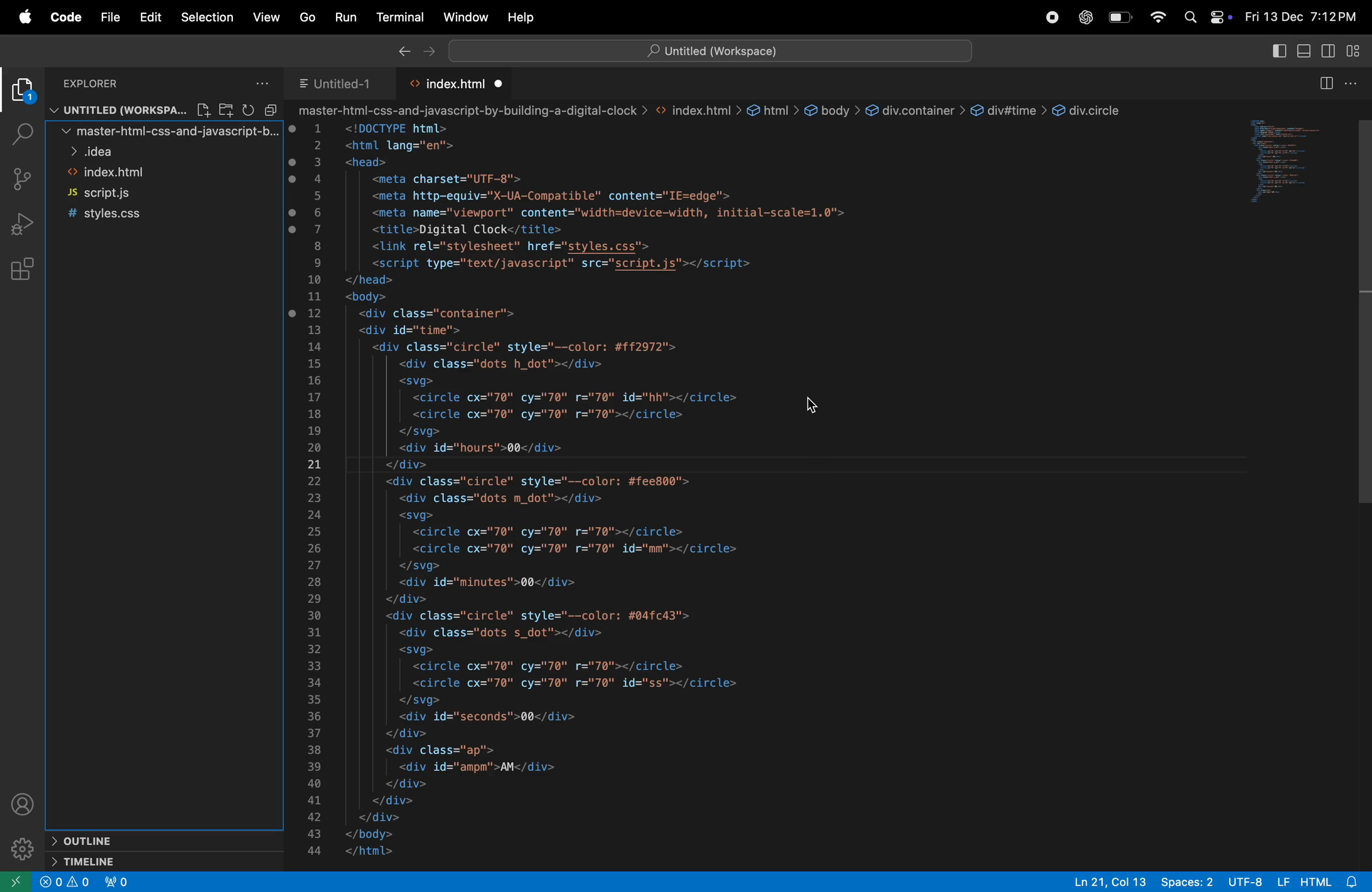 This screenshot has height=892, width=1372. I want to click on code, so click(66, 19).